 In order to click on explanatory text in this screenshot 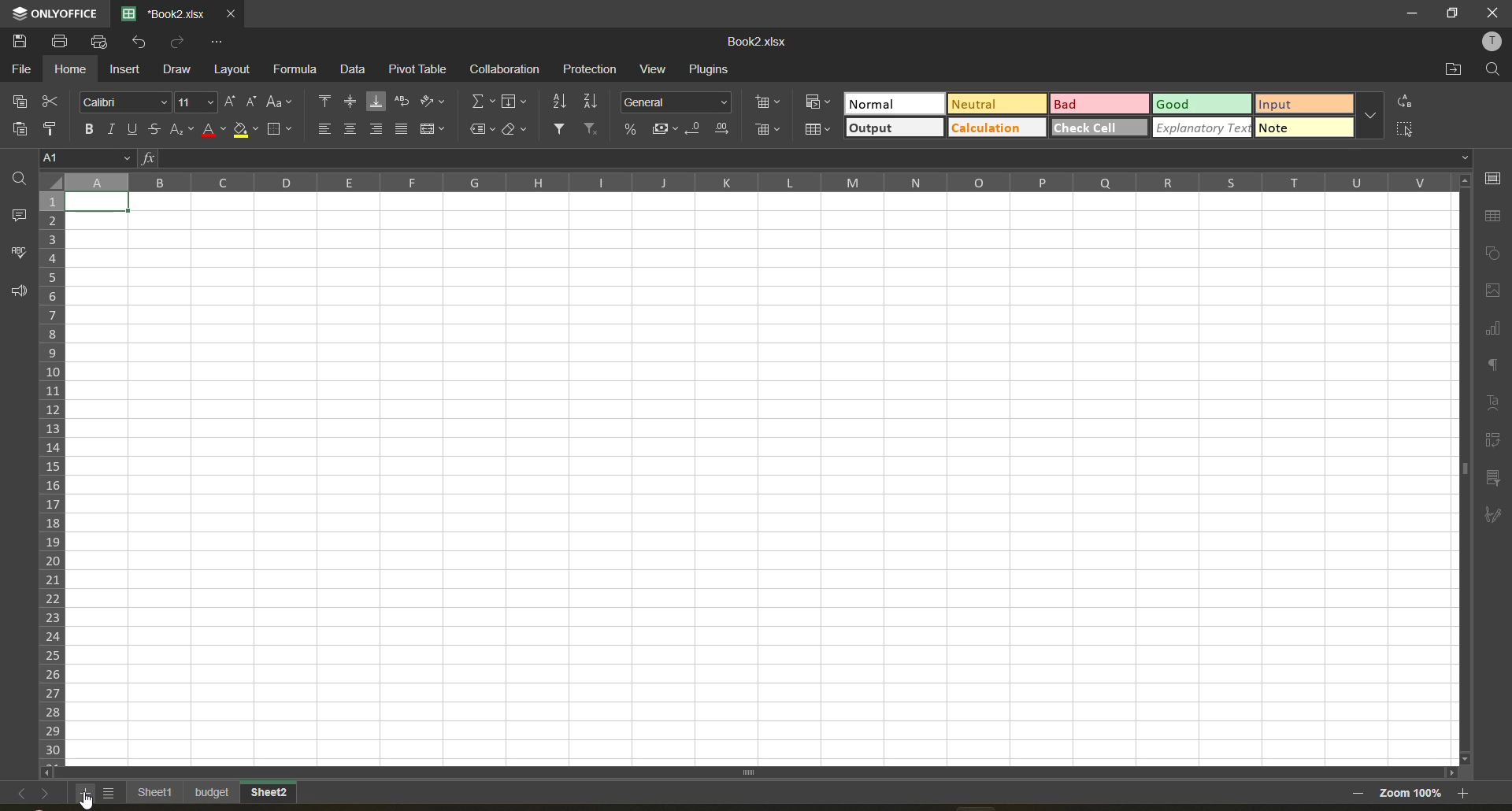, I will do `click(1202, 128)`.